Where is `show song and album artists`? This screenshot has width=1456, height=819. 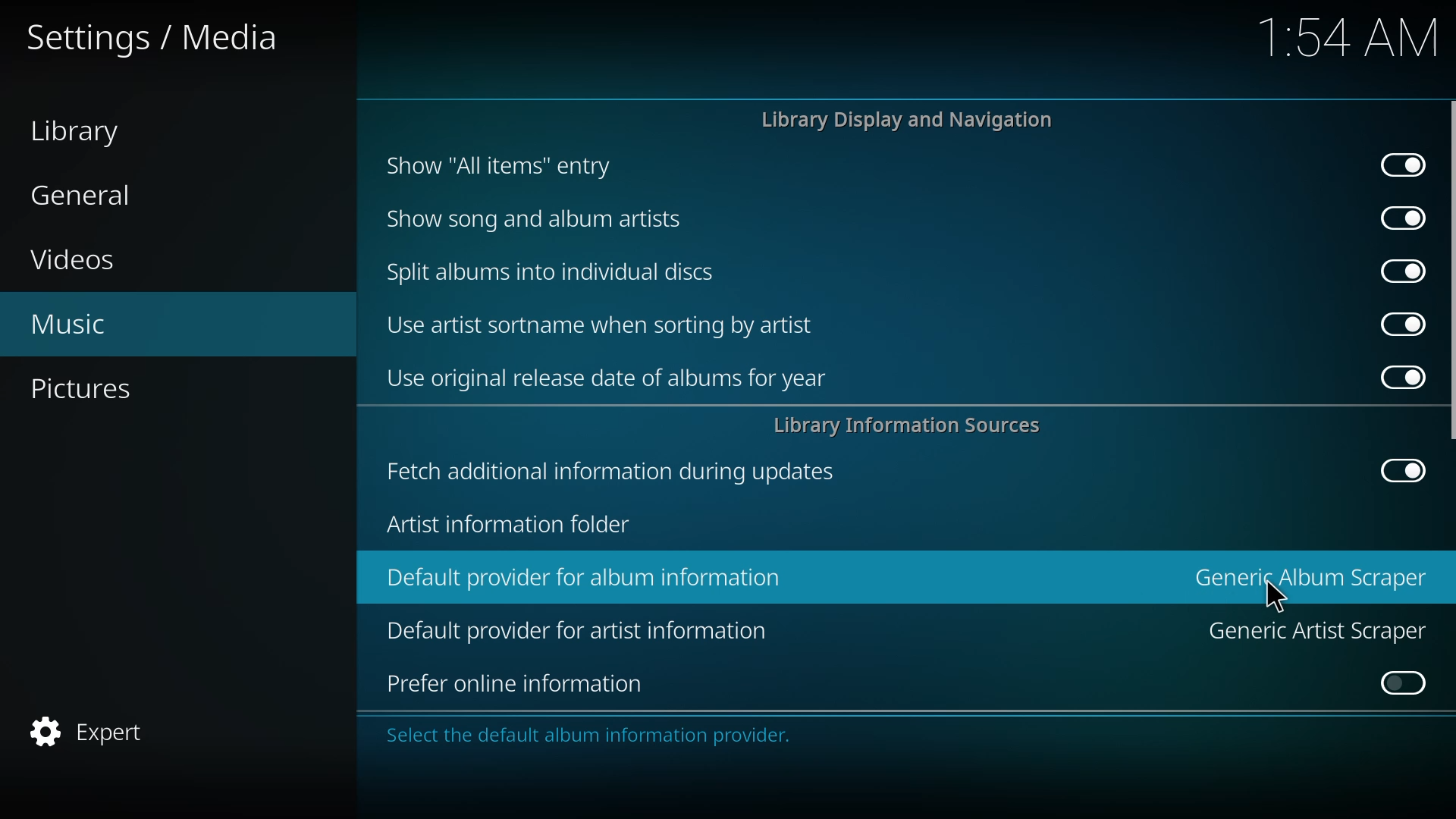
show song and album artists is located at coordinates (542, 219).